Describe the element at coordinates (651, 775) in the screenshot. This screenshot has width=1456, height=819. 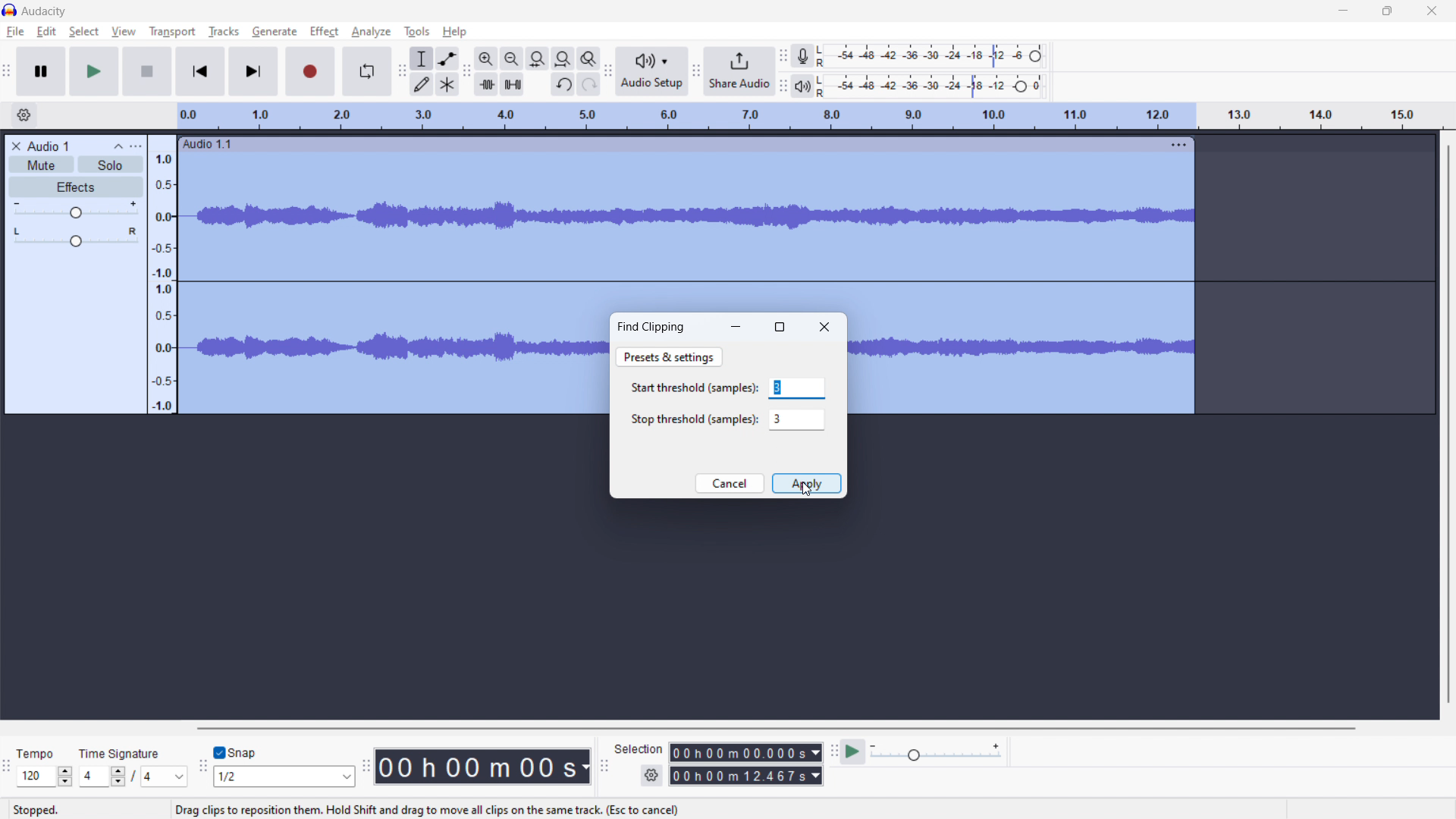
I see `settings` at that location.